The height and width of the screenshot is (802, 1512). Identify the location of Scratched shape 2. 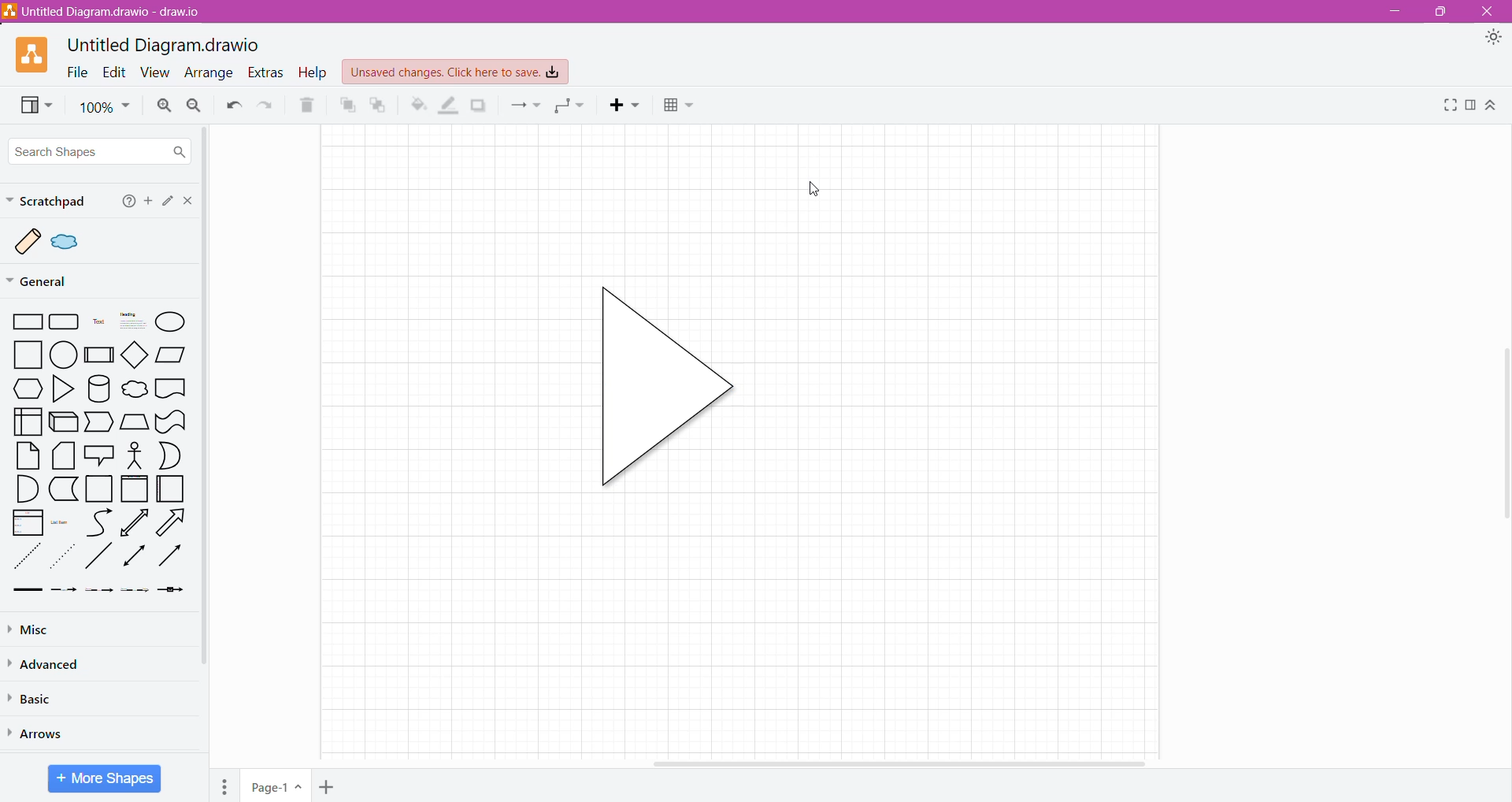
(72, 242).